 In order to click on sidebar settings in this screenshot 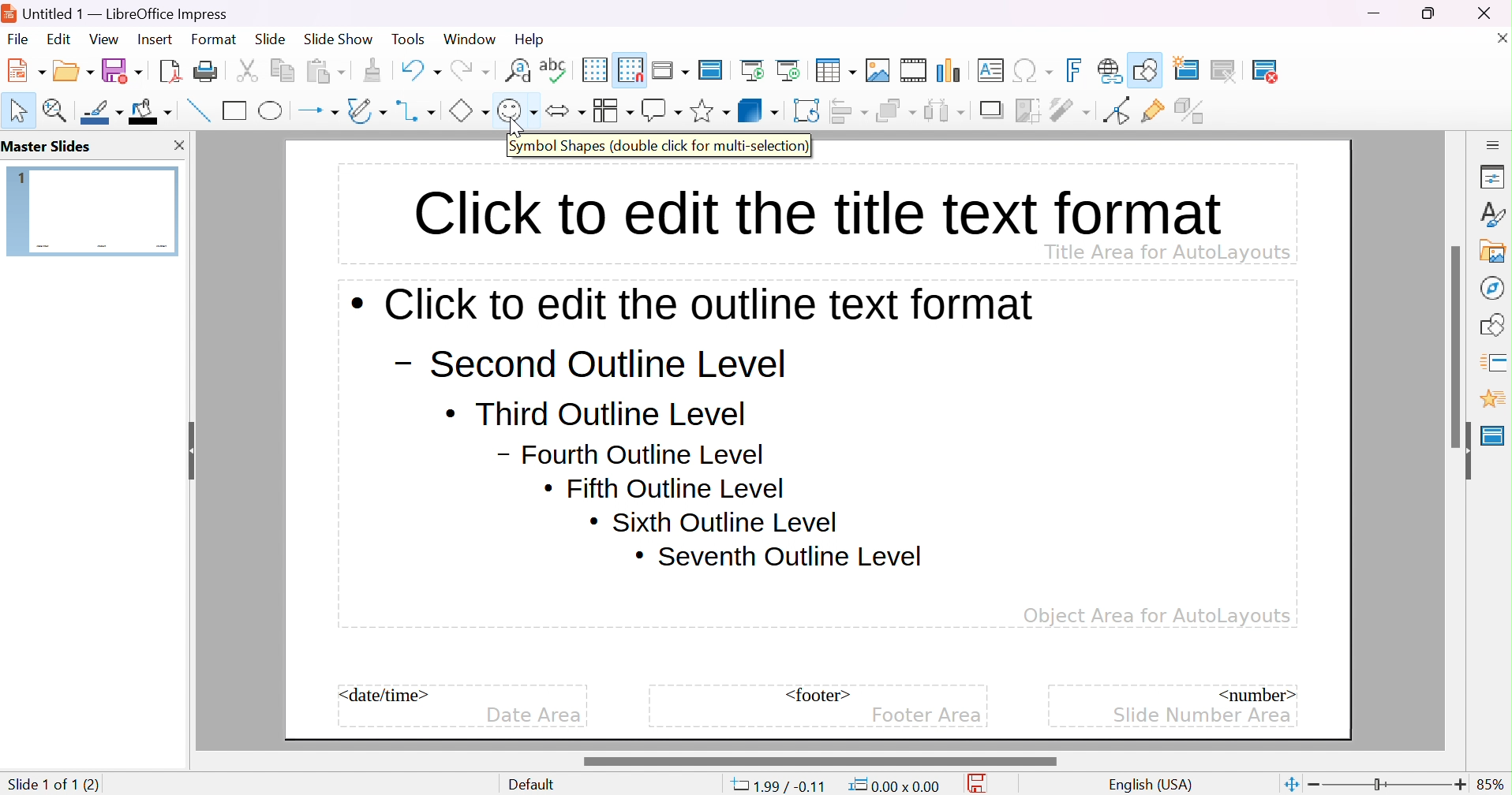, I will do `click(1494, 144)`.